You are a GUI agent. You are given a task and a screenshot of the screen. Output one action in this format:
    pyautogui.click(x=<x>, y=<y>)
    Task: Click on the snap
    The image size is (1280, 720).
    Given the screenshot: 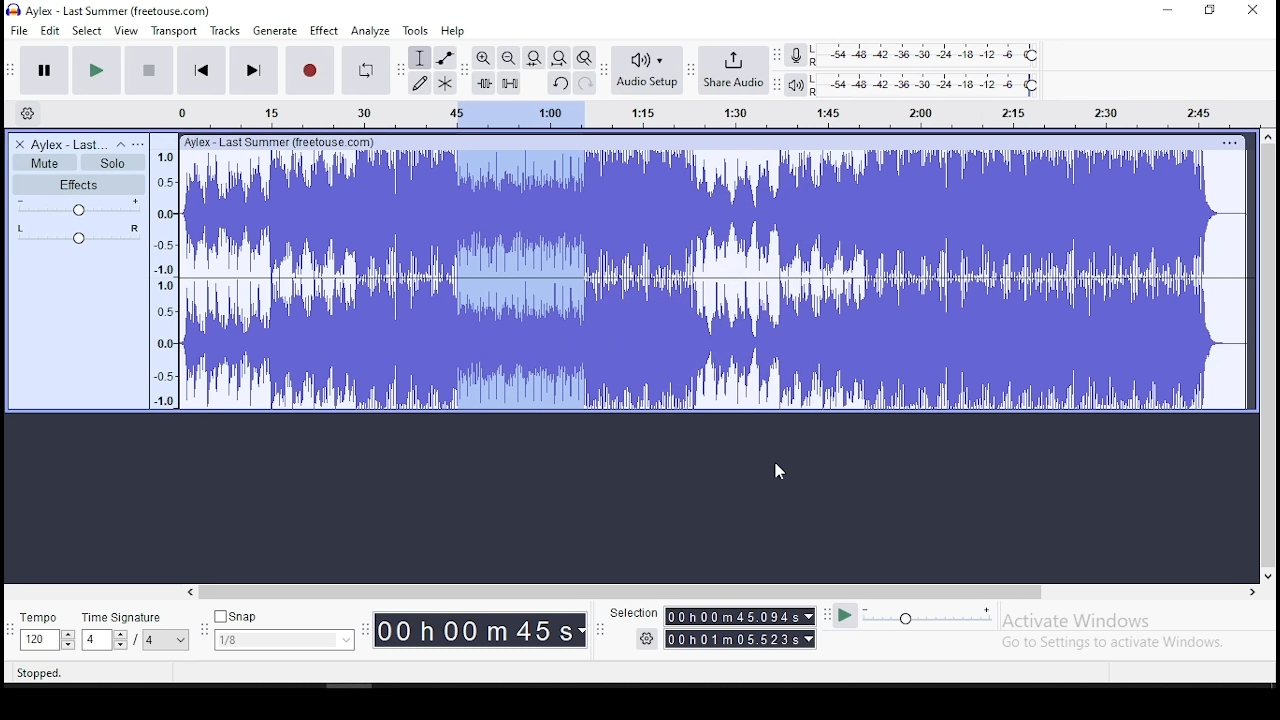 What is the action you would take?
    pyautogui.click(x=286, y=631)
    